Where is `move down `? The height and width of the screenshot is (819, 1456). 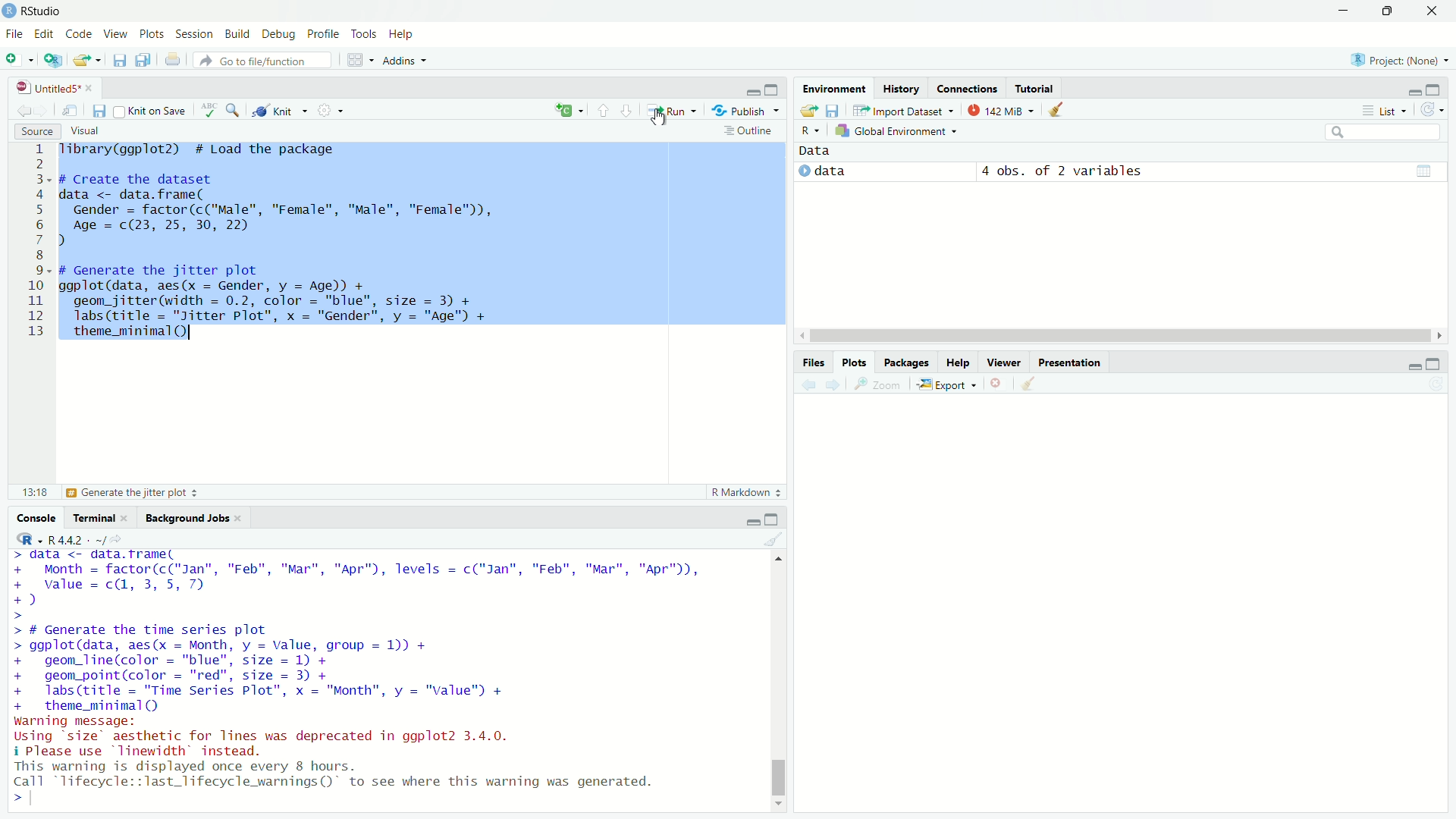 move down  is located at coordinates (780, 806).